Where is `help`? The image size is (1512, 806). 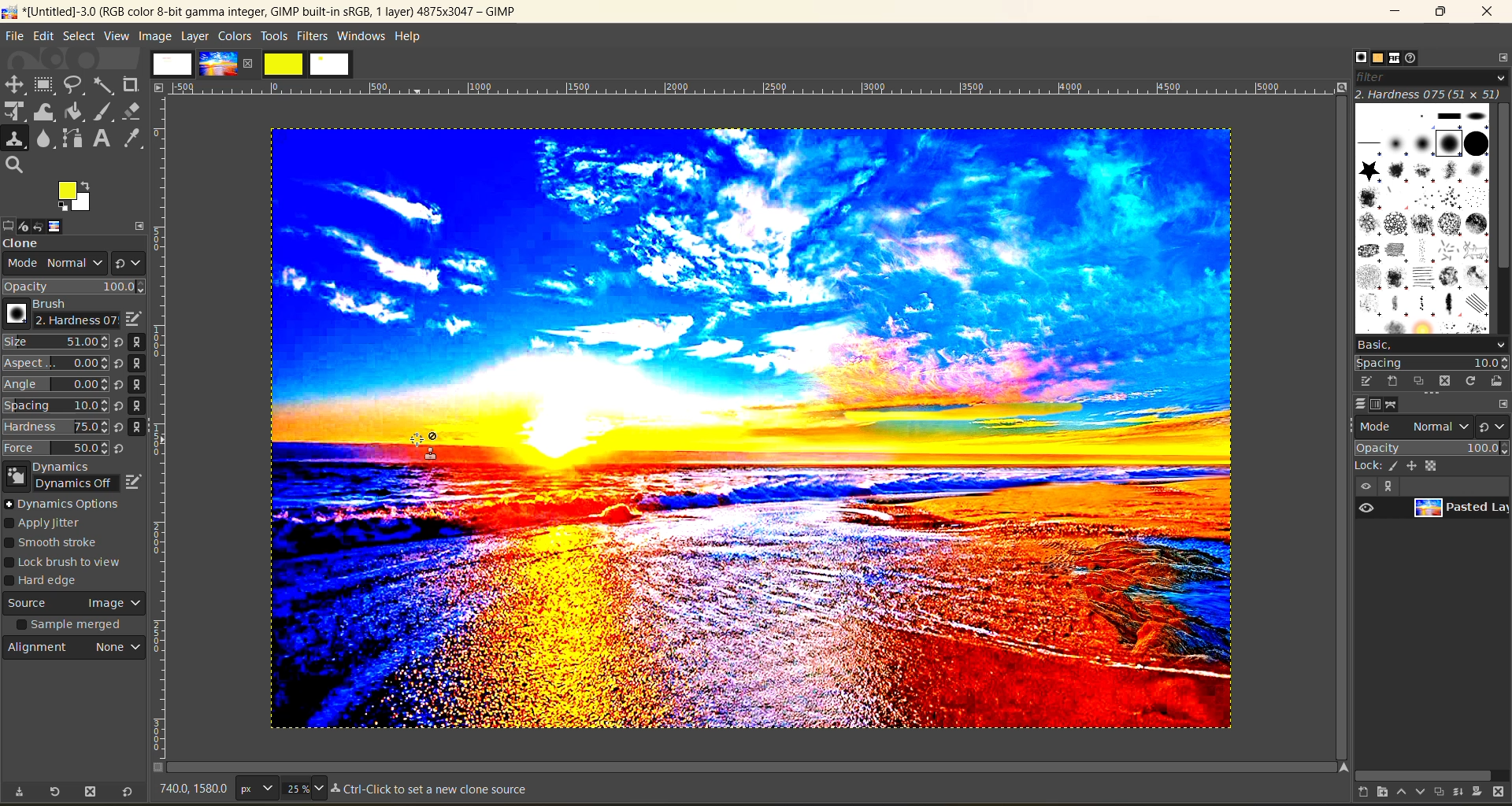 help is located at coordinates (412, 35).